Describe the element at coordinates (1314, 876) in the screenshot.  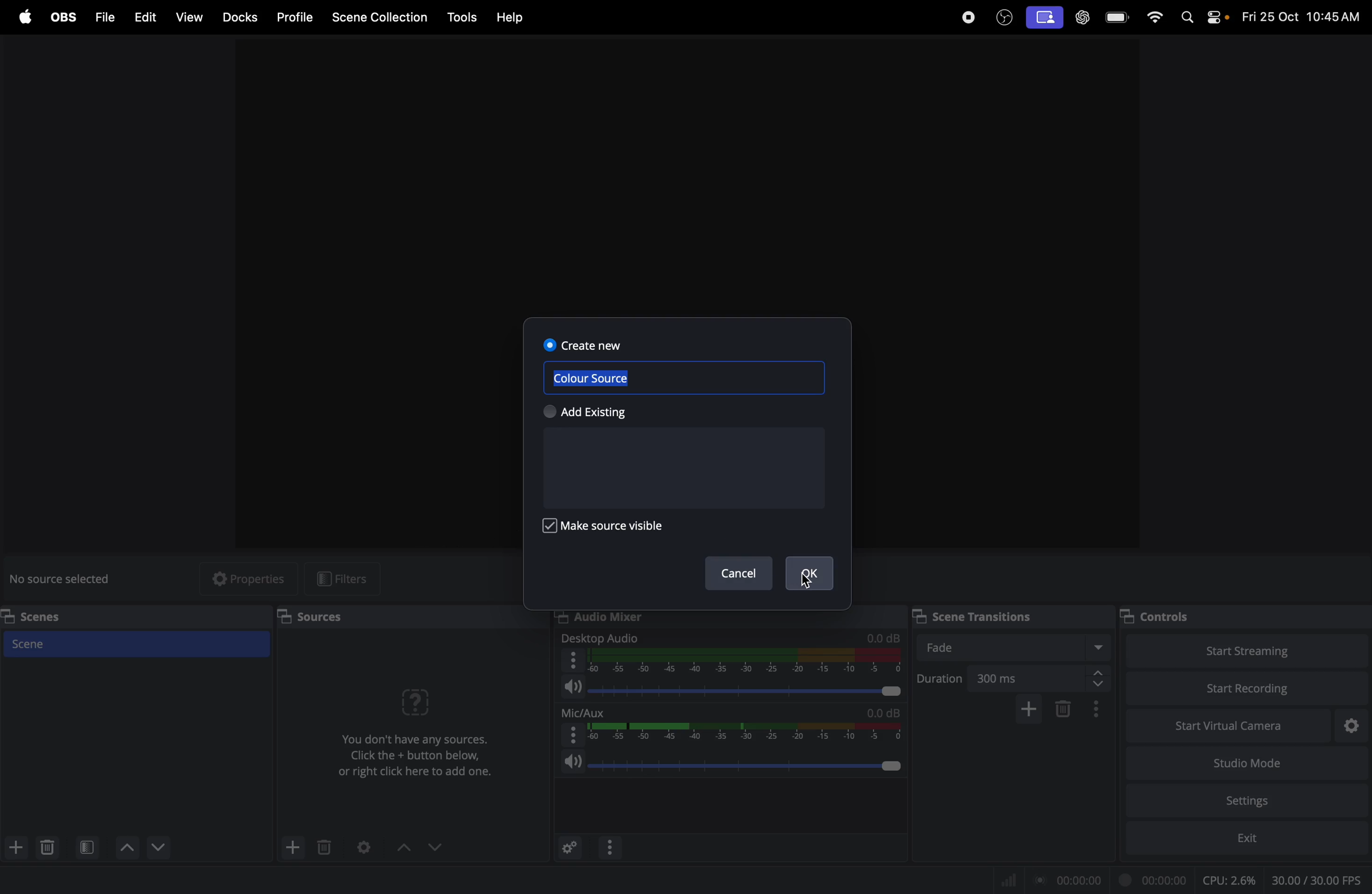
I see `client fps` at that location.